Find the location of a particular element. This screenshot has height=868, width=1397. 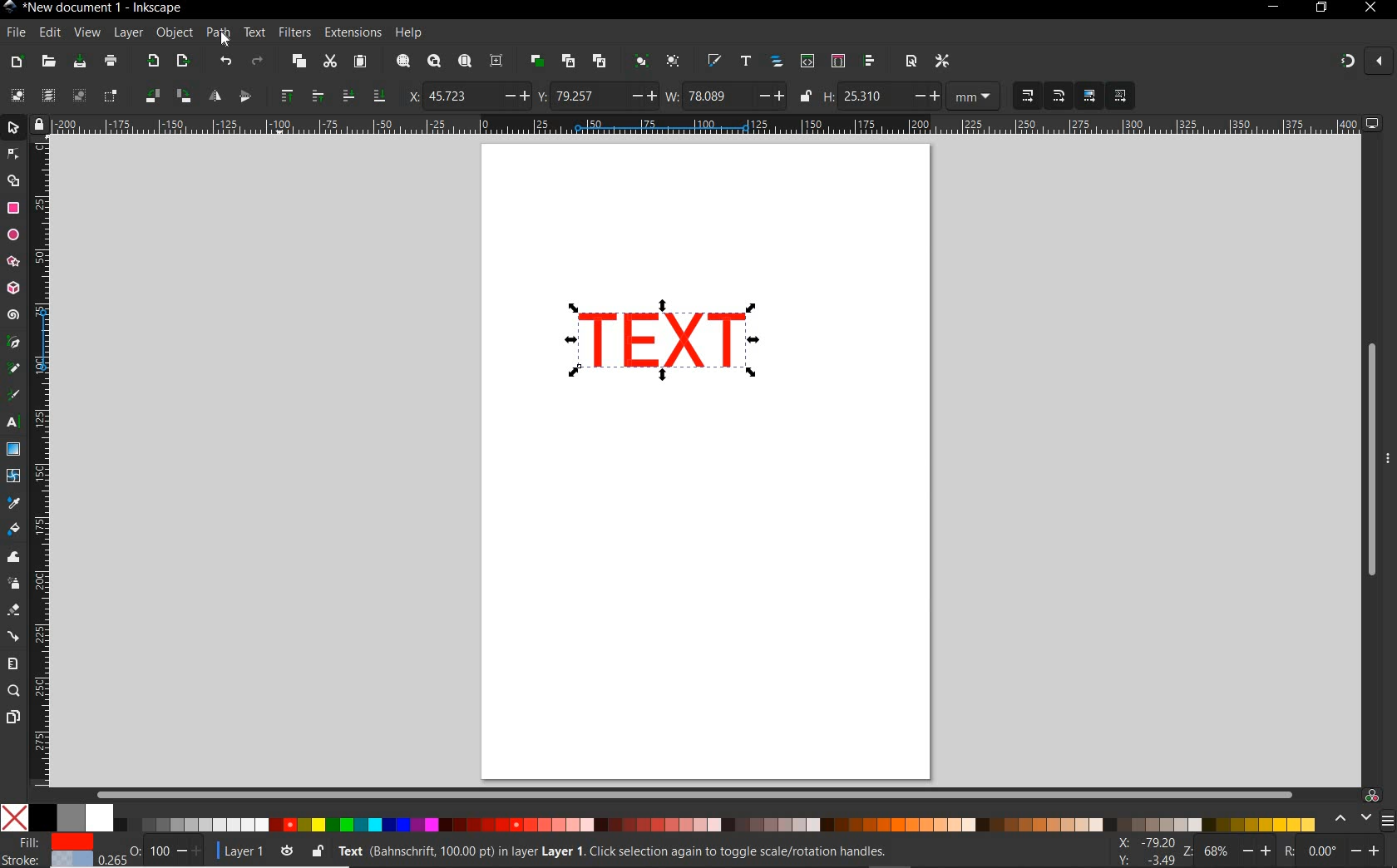

SELECT ALL is located at coordinates (17, 95).